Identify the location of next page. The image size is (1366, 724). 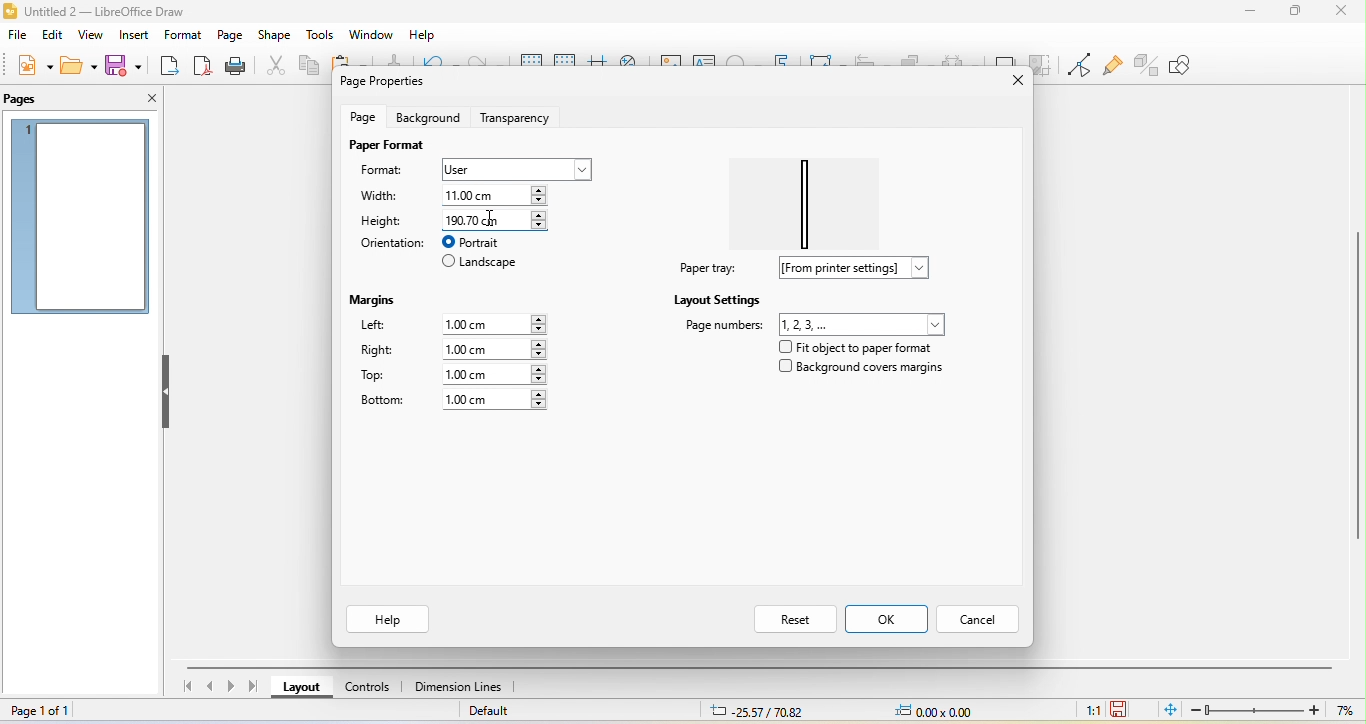
(234, 687).